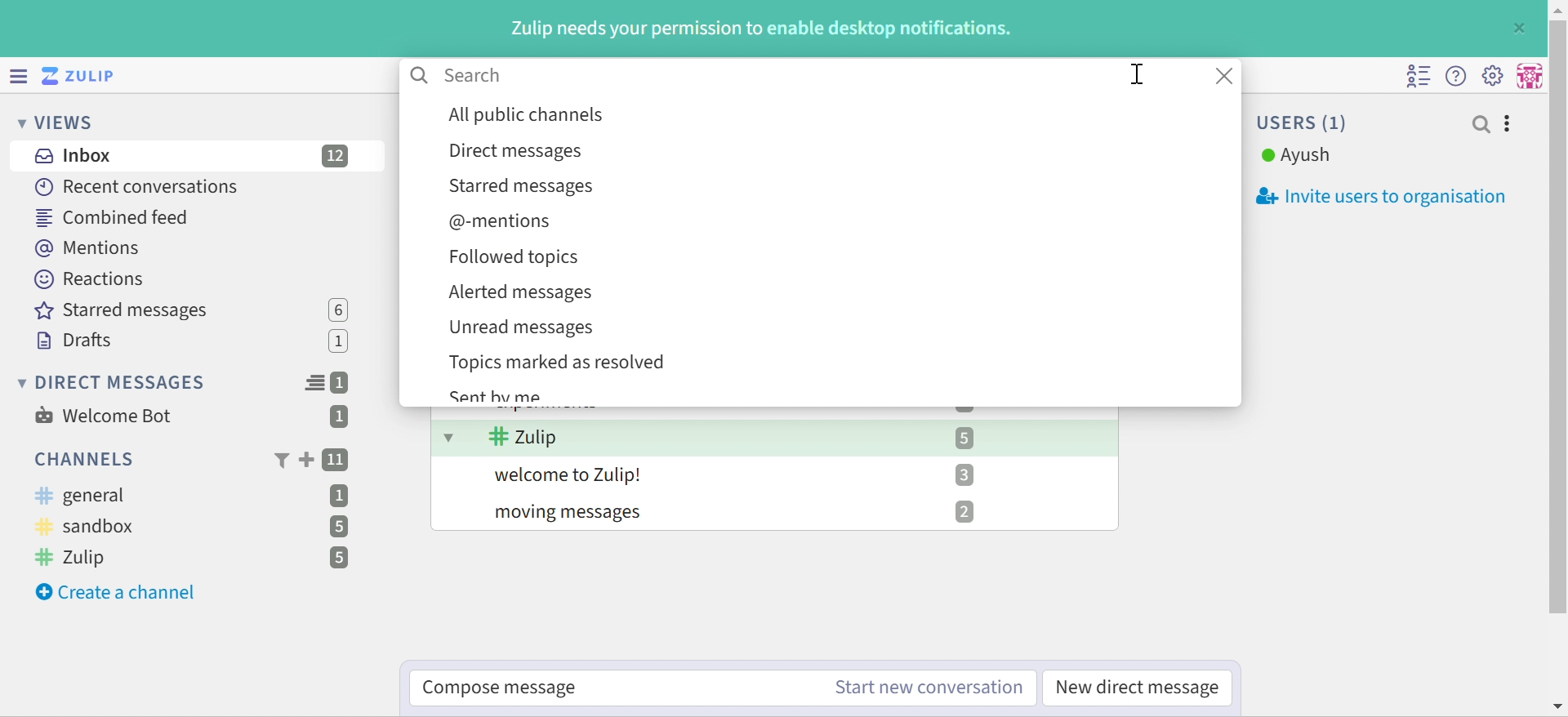 Image resolution: width=1568 pixels, height=717 pixels. Describe the element at coordinates (523, 437) in the screenshot. I see `#Zulip` at that location.